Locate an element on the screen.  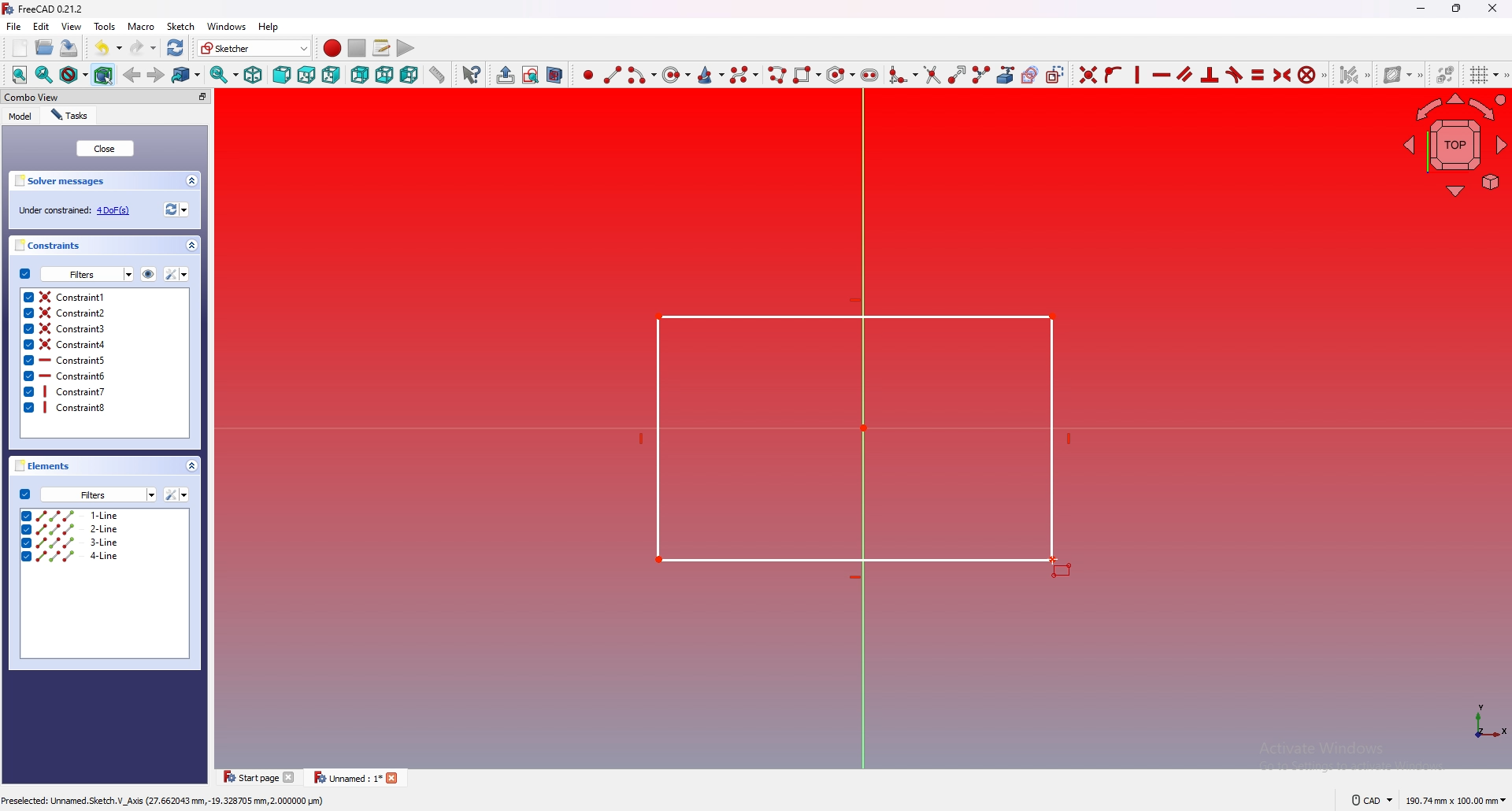
pop out is located at coordinates (202, 97).